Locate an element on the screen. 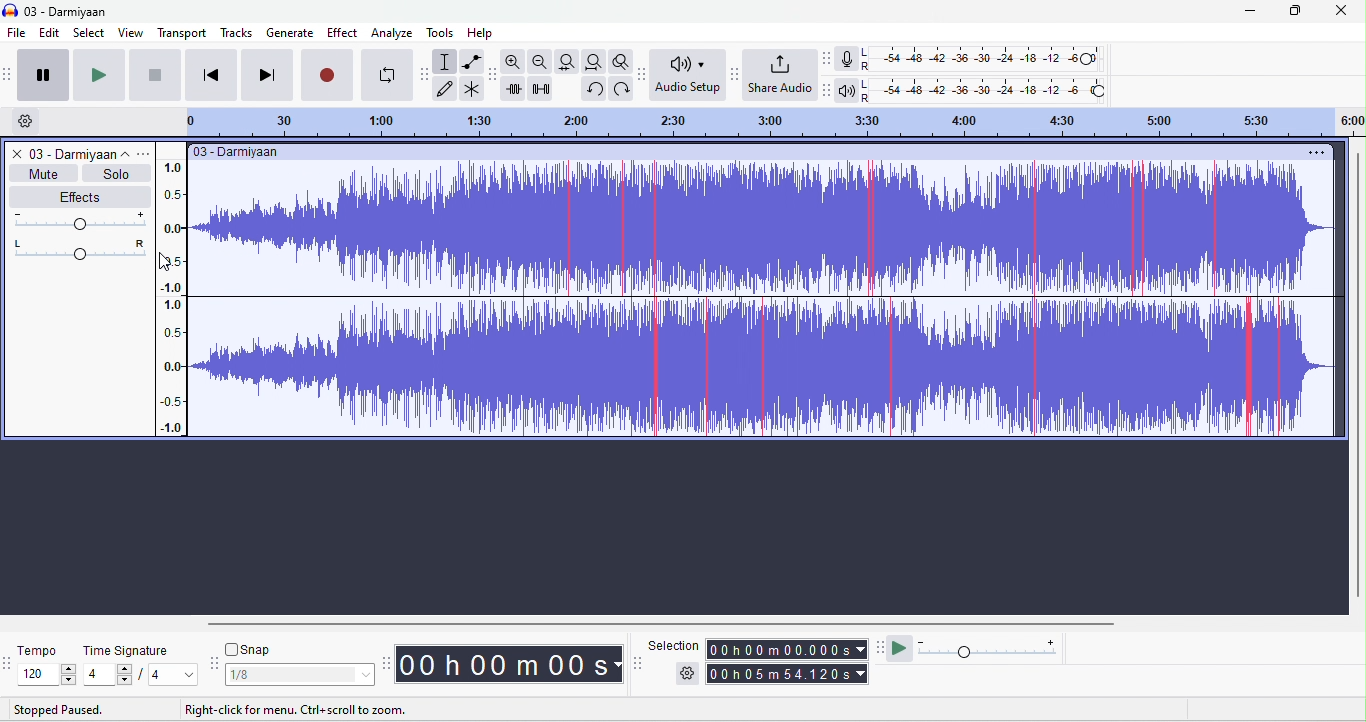 The height and width of the screenshot is (722, 1366). instructions is located at coordinates (302, 707).